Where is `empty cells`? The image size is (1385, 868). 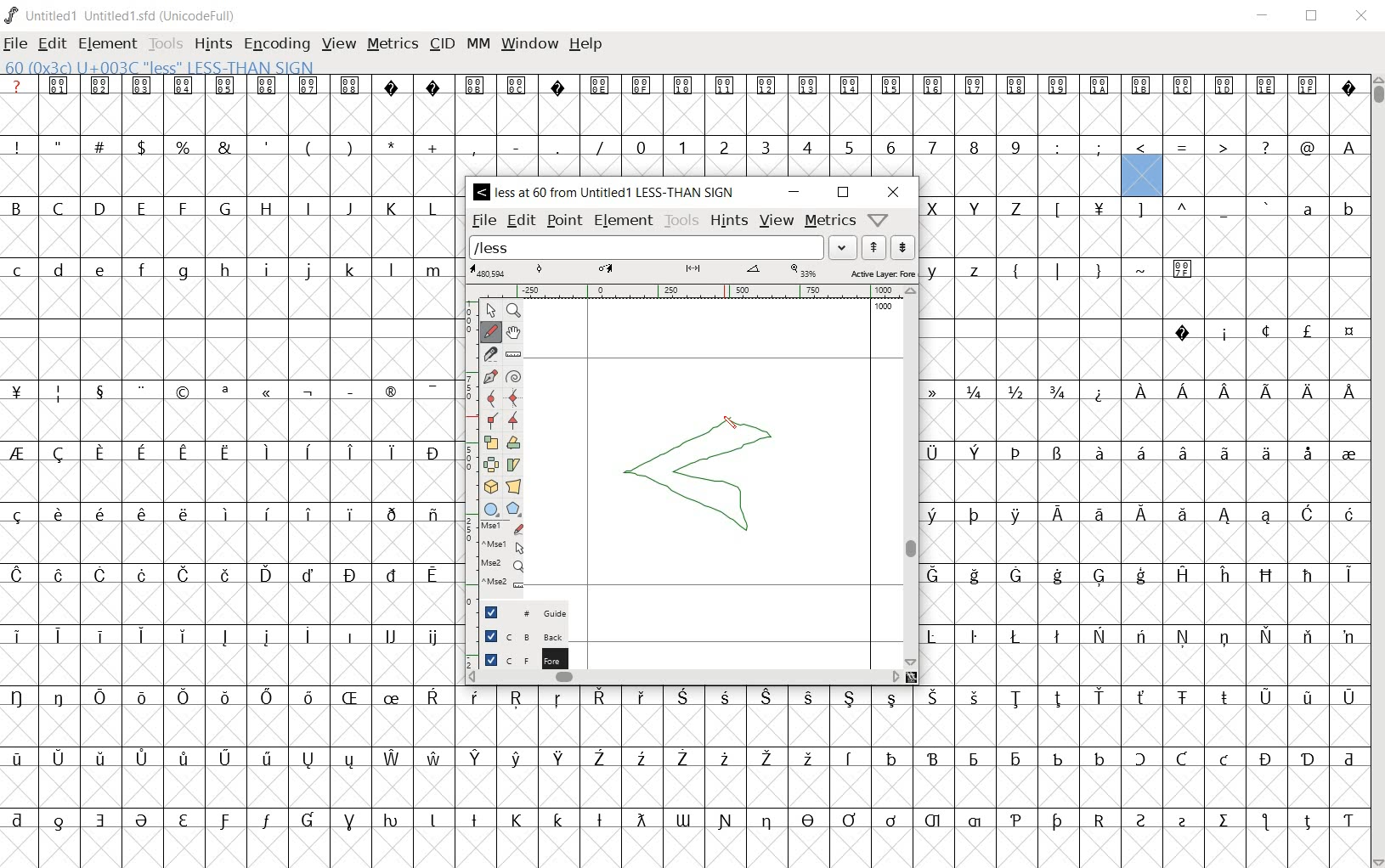
empty cells is located at coordinates (681, 114).